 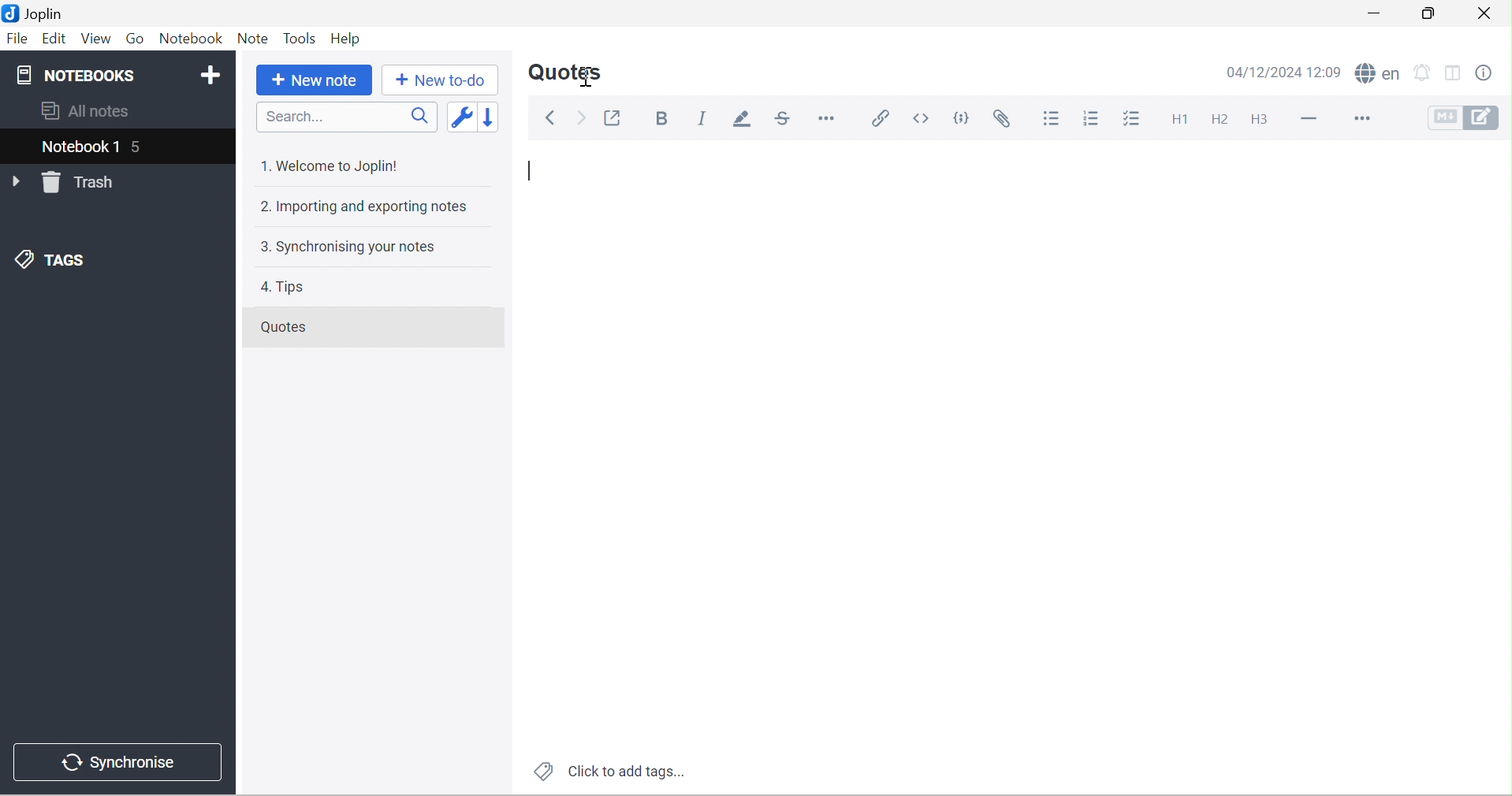 I want to click on Numbered list, so click(x=1090, y=120).